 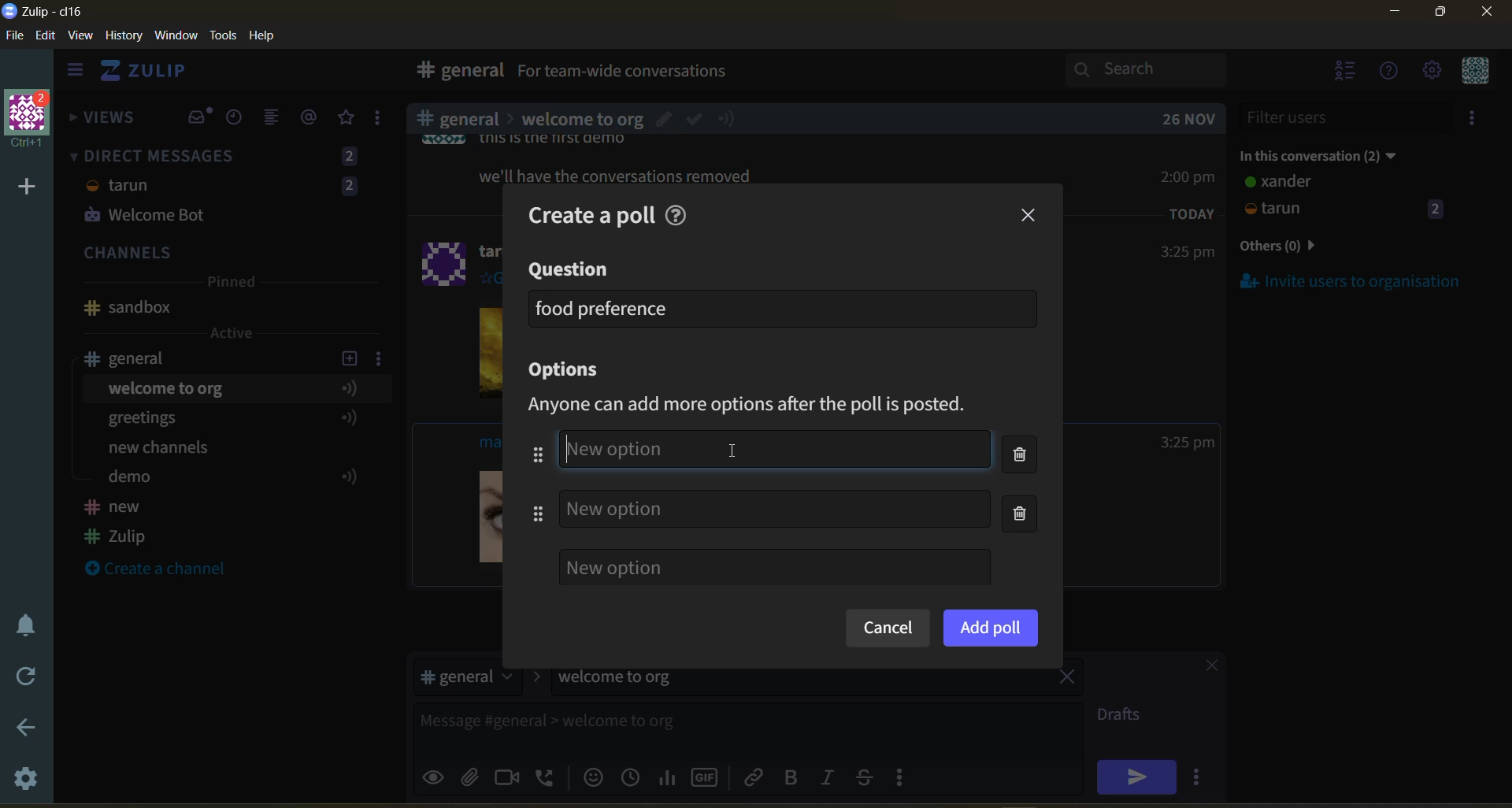 What do you see at coordinates (128, 308) in the screenshot?
I see `Channel name` at bounding box center [128, 308].